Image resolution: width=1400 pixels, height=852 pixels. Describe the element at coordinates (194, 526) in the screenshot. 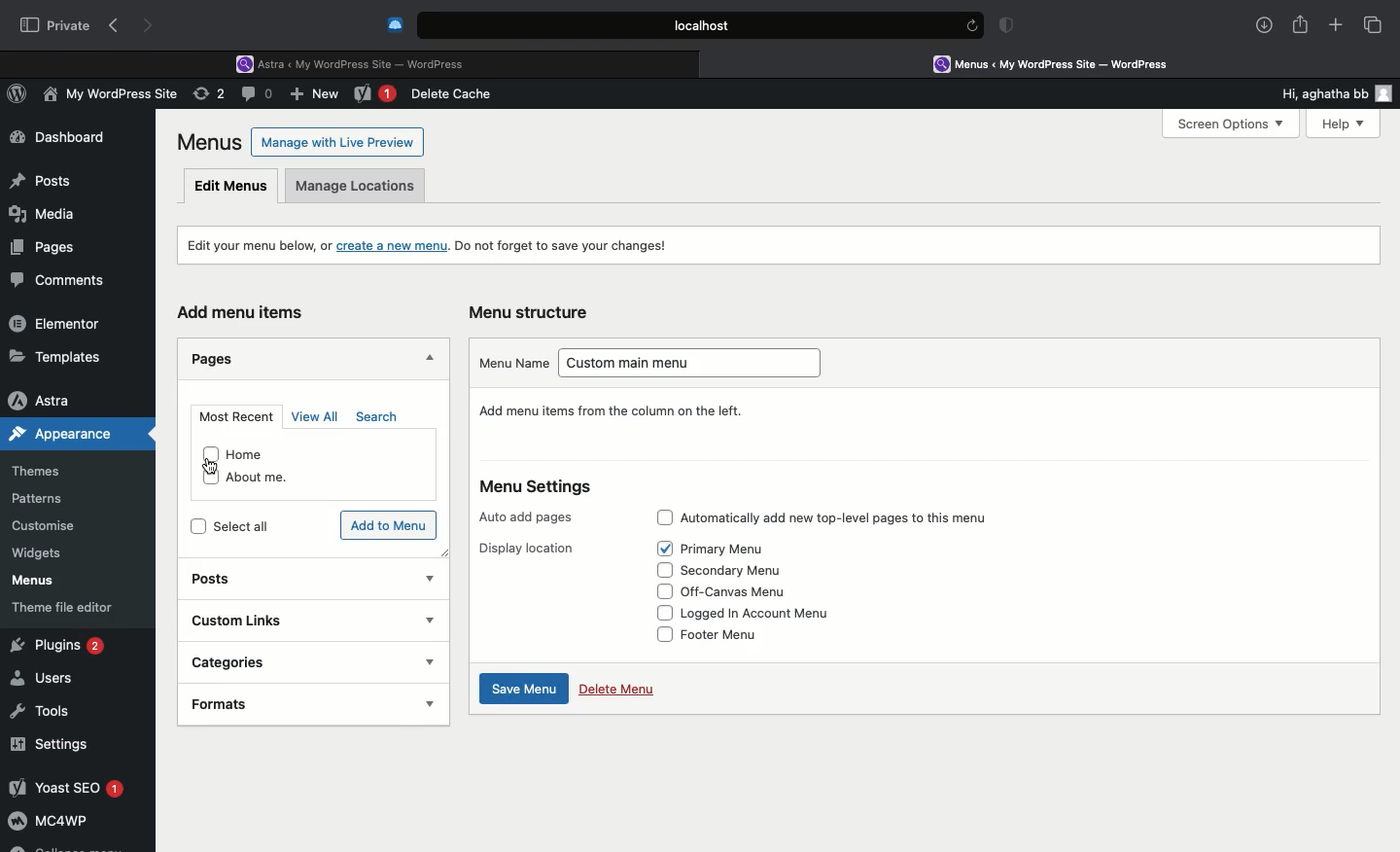

I see `checkbox` at that location.